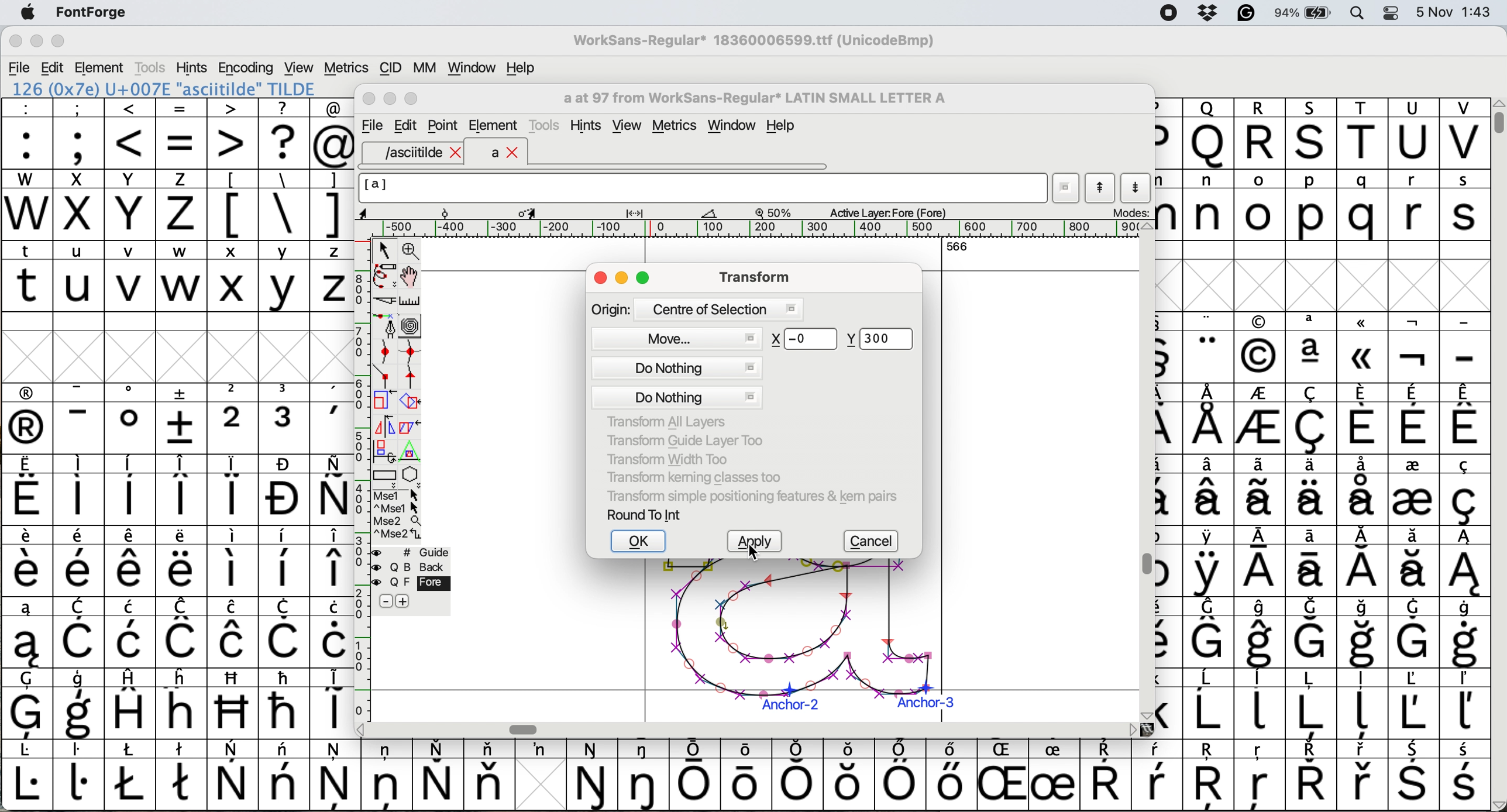 Image resolution: width=1507 pixels, height=812 pixels. What do you see at coordinates (1496, 117) in the screenshot?
I see `vertical scroll bar` at bounding box center [1496, 117].